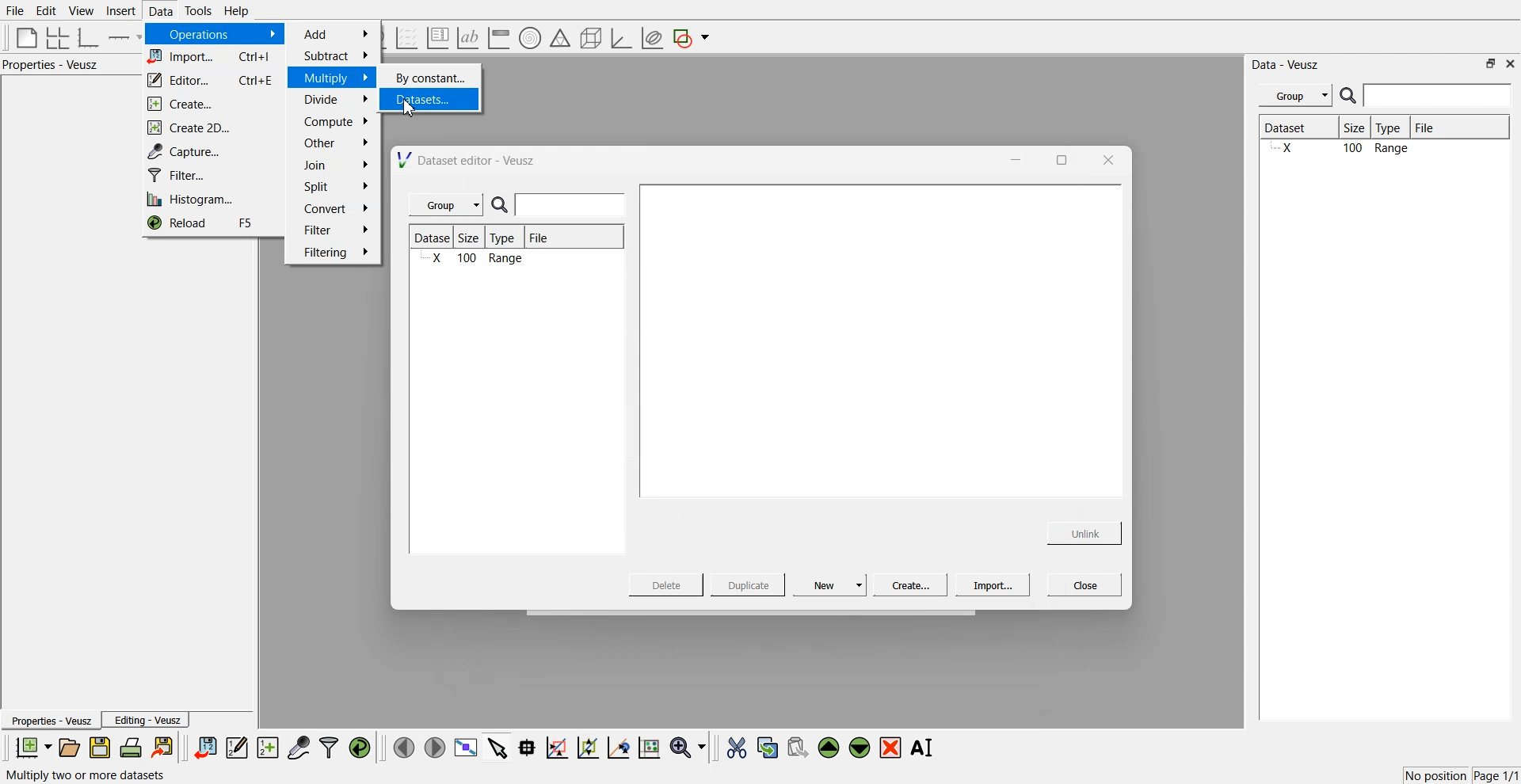  What do you see at coordinates (335, 55) in the screenshot?
I see `Subtract` at bounding box center [335, 55].